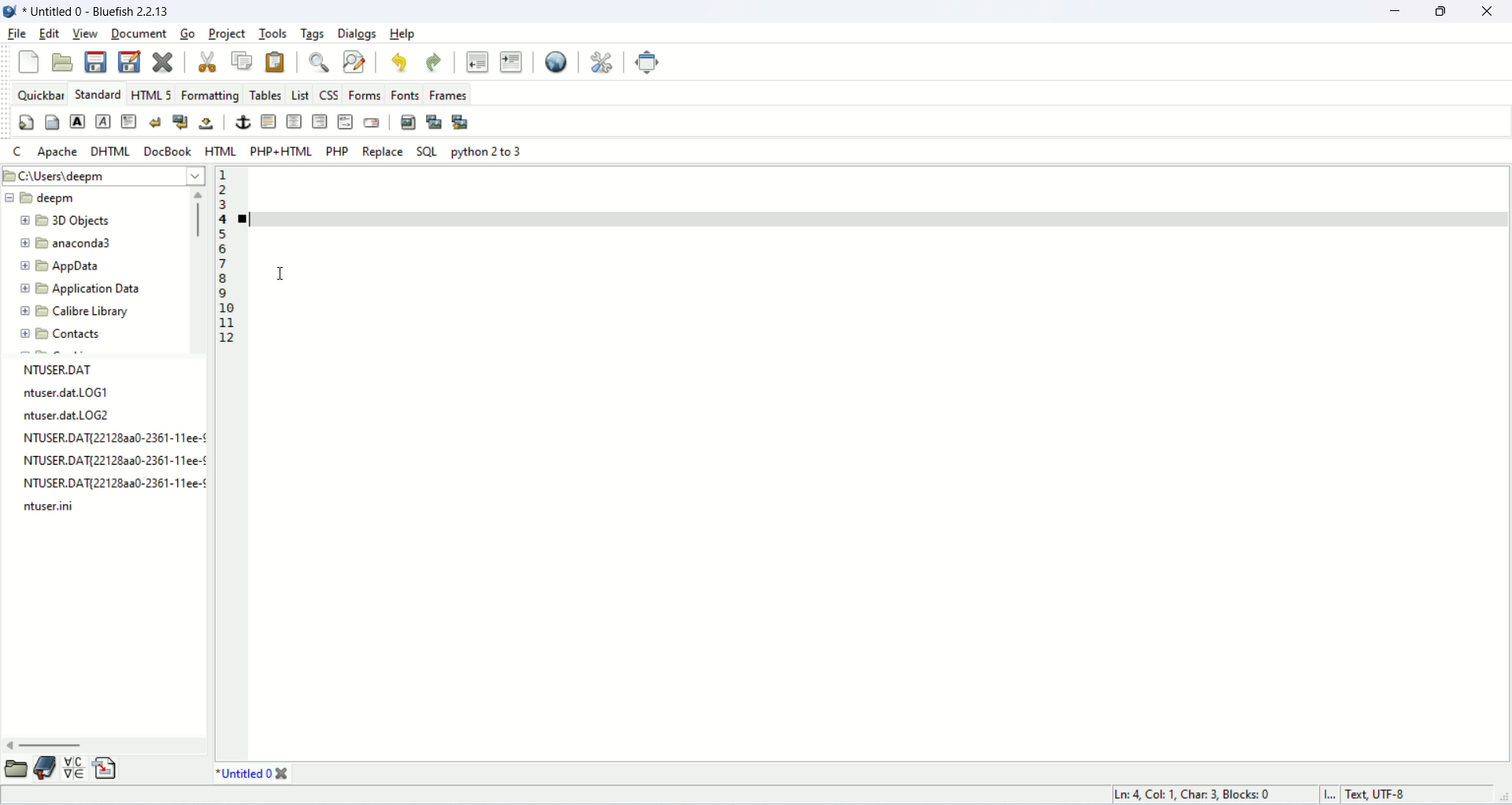 The height and width of the screenshot is (805, 1512). Describe the element at coordinates (97, 221) in the screenshot. I see `folder name` at that location.